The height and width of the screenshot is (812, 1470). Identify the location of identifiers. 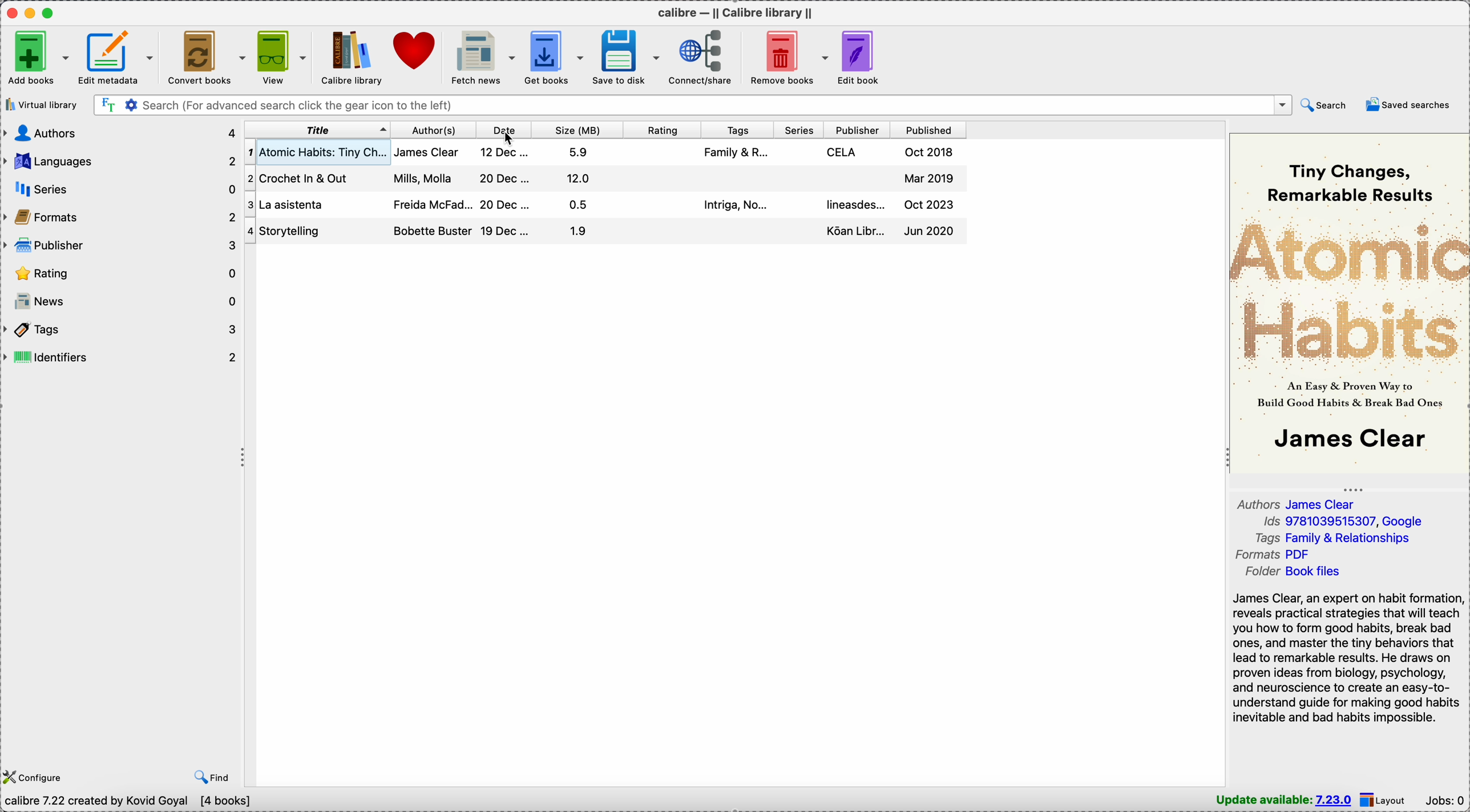
(122, 359).